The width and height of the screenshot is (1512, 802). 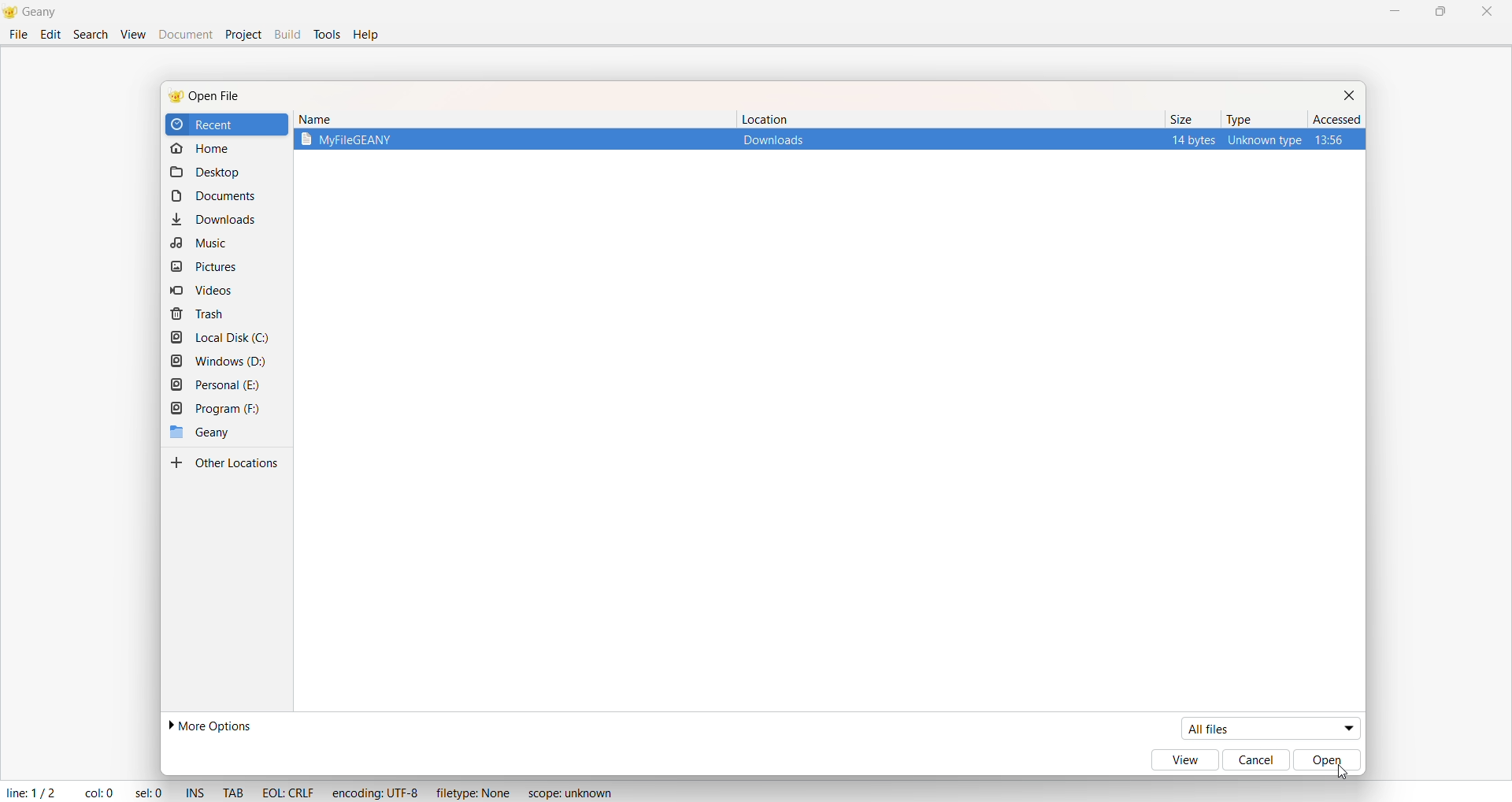 I want to click on trash, so click(x=195, y=315).